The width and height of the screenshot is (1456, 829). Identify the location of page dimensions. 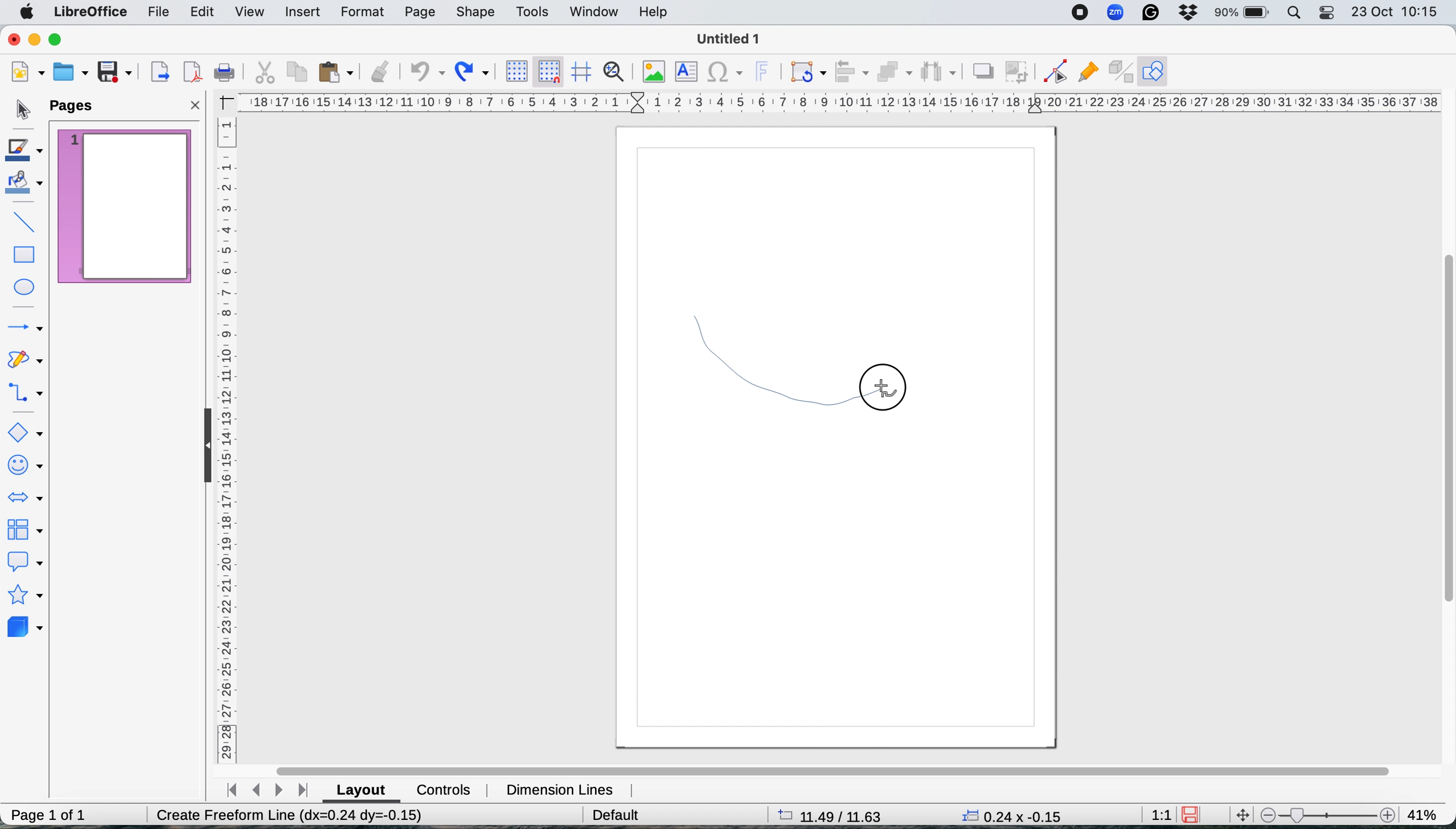
(836, 815).